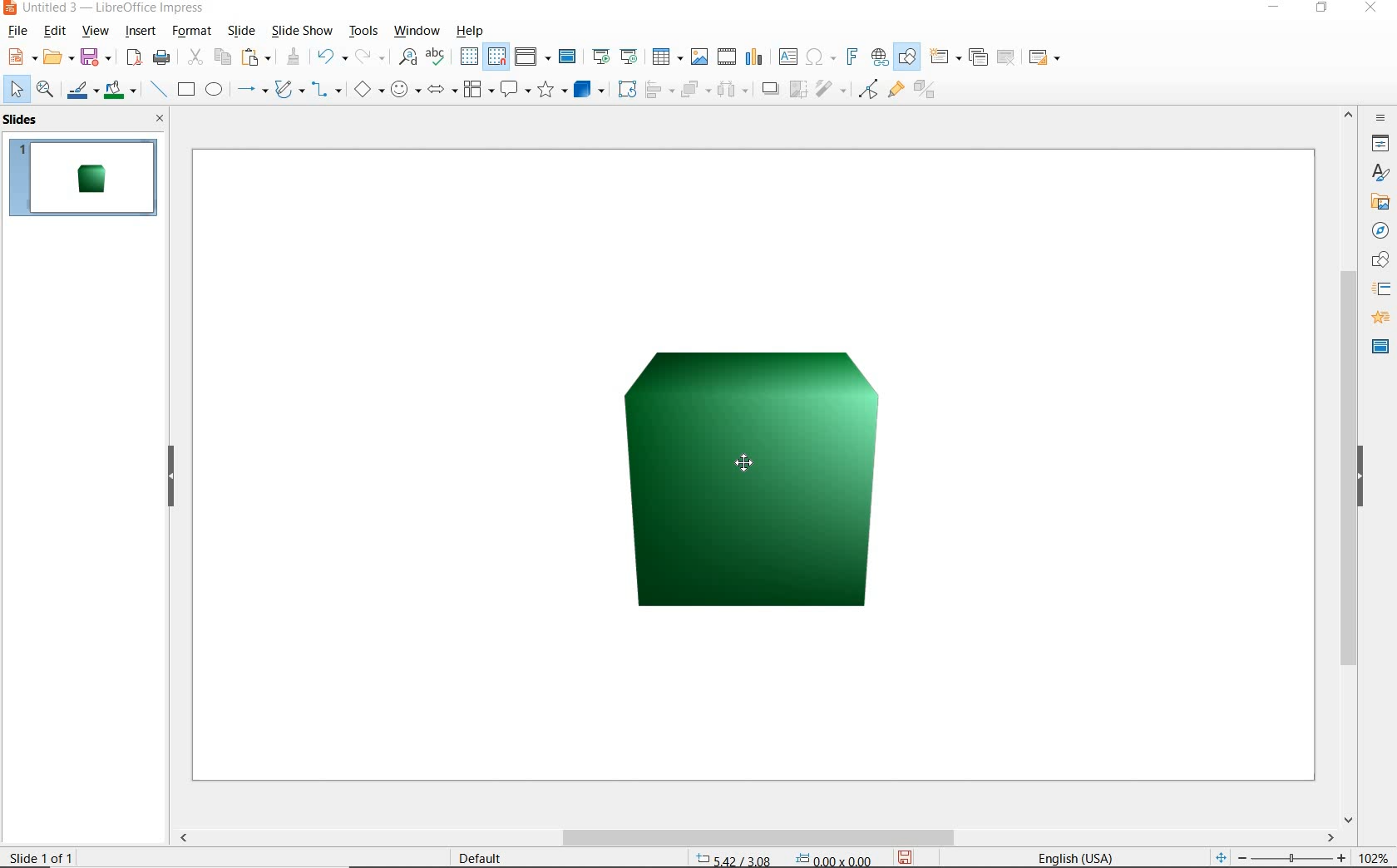 This screenshot has width=1397, height=868. Describe the element at coordinates (193, 31) in the screenshot. I see `format` at that location.